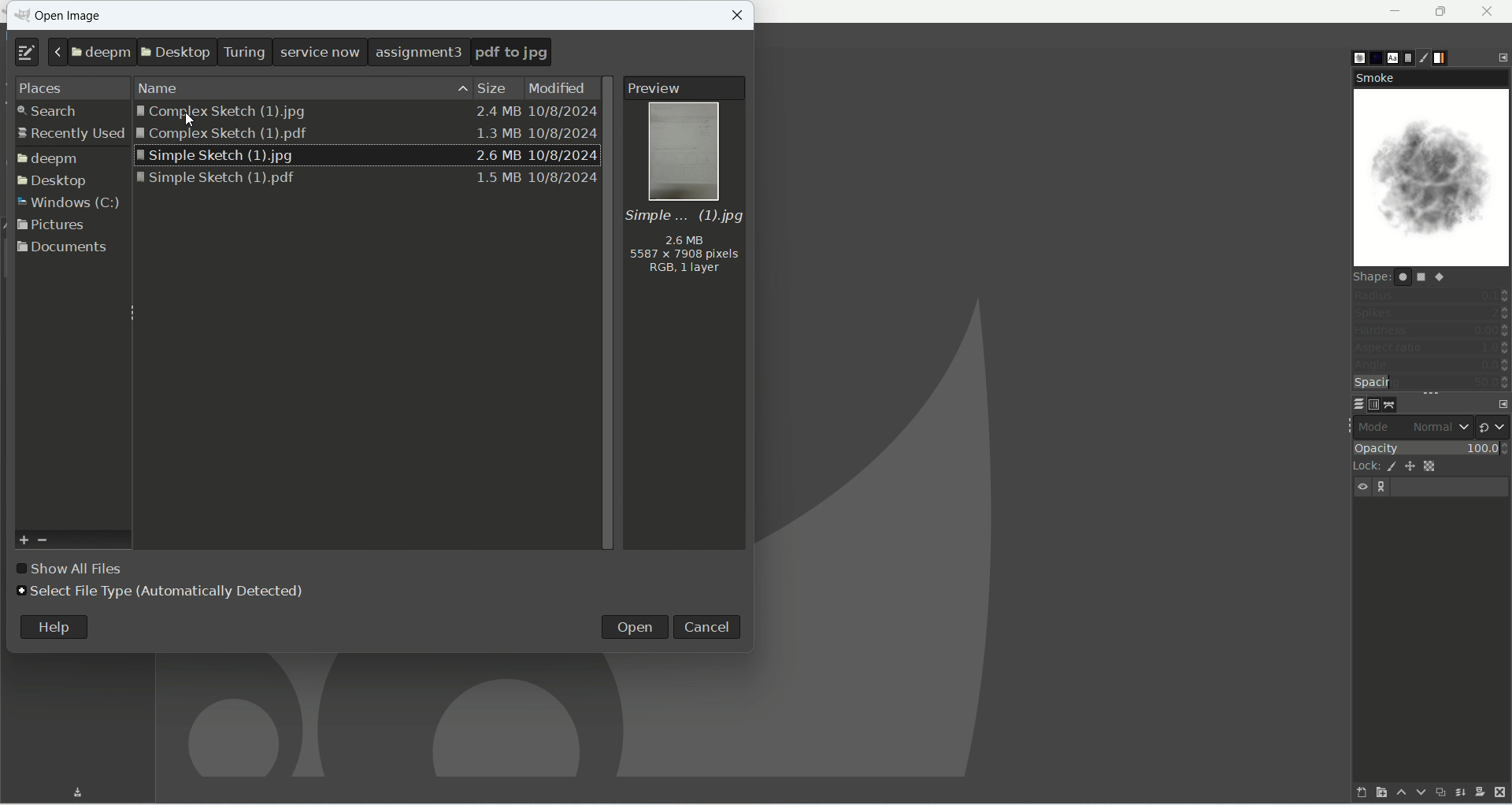  What do you see at coordinates (62, 250) in the screenshot?
I see `documents` at bounding box center [62, 250].